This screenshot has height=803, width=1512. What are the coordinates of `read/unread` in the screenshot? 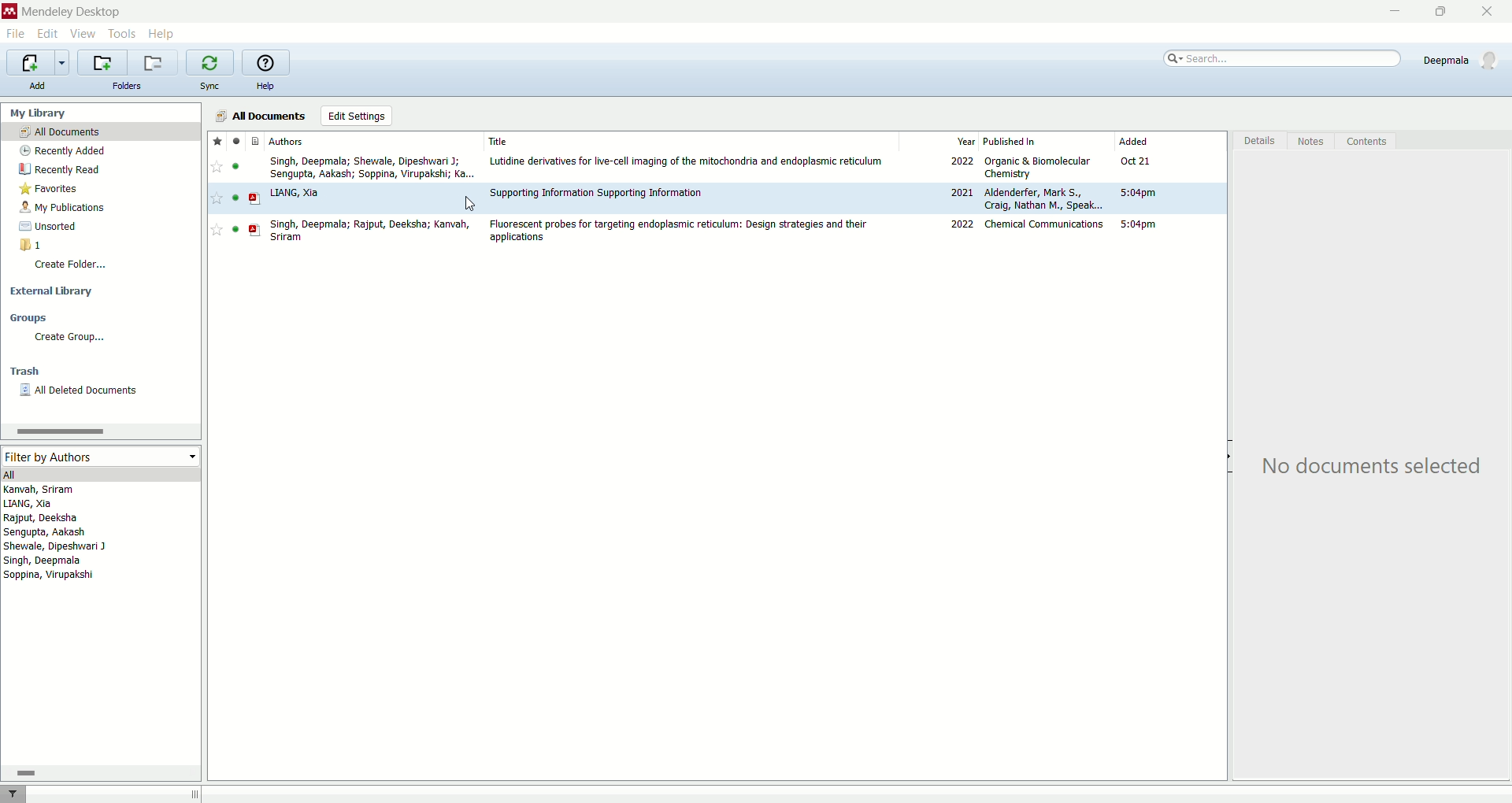 It's located at (238, 140).